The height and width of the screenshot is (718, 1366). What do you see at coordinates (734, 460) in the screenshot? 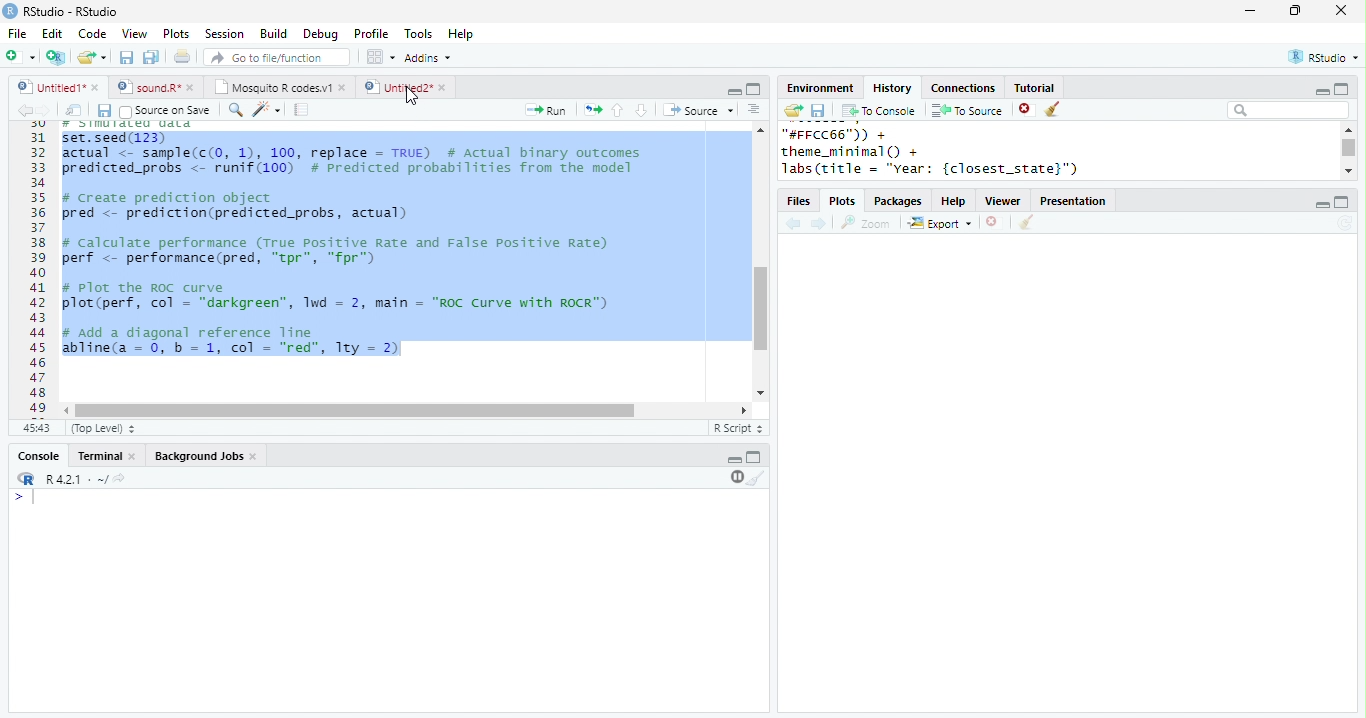
I see `minimize` at bounding box center [734, 460].